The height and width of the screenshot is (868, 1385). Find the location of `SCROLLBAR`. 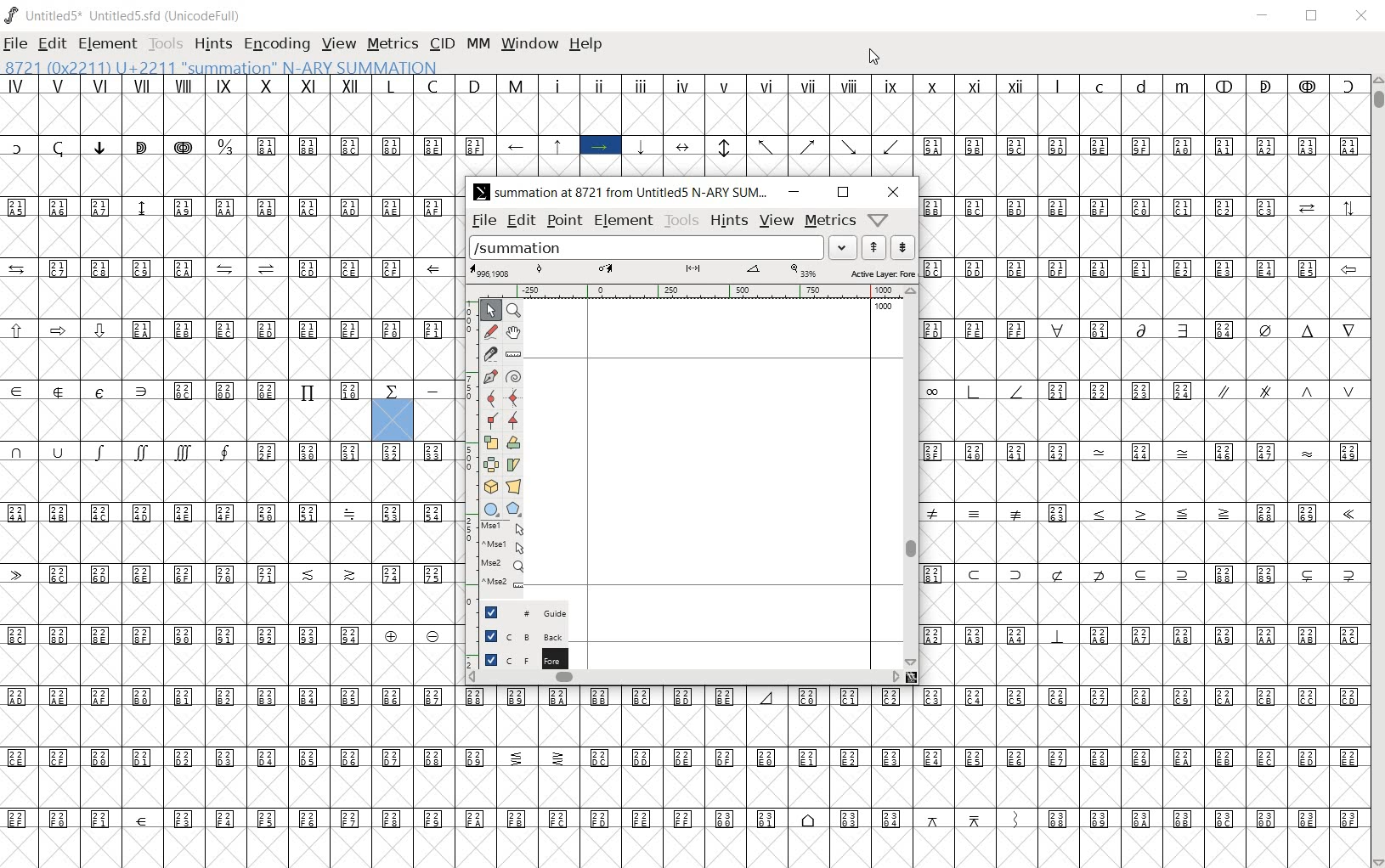

SCROLLBAR is located at coordinates (1377, 470).